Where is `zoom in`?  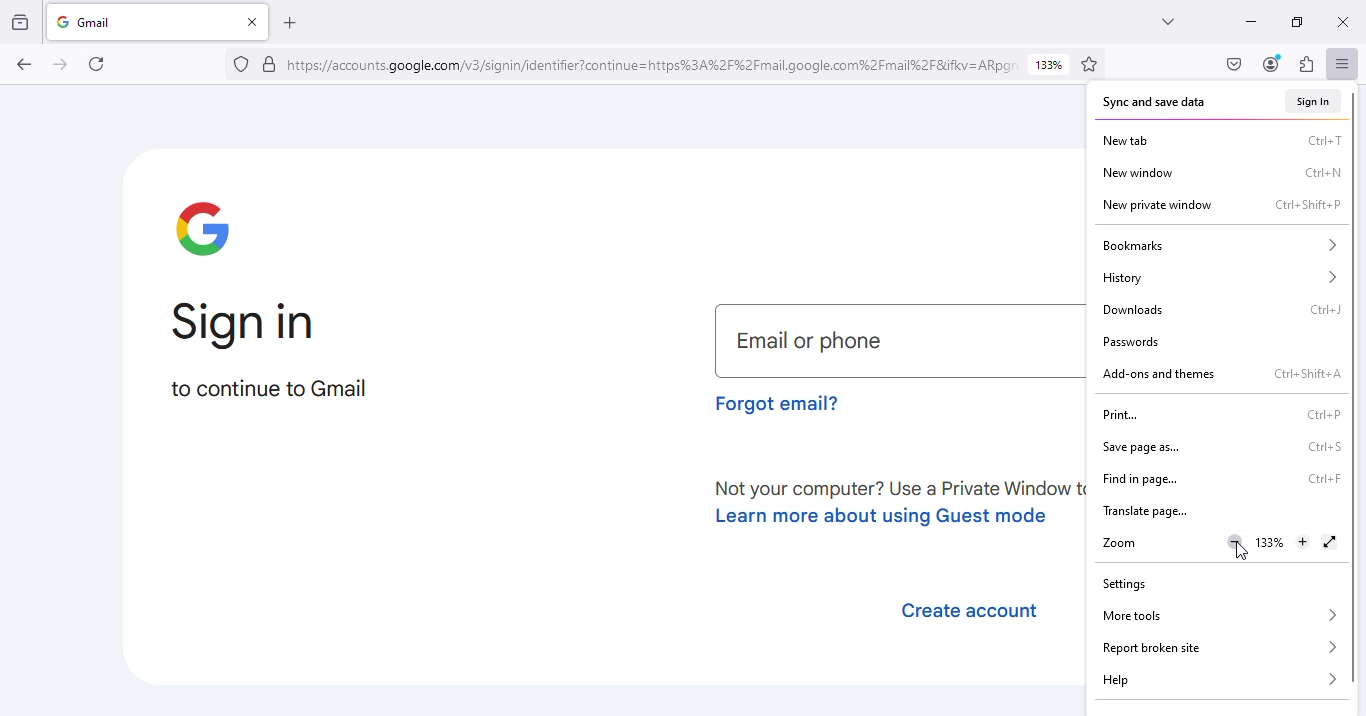
zoom in is located at coordinates (1304, 541).